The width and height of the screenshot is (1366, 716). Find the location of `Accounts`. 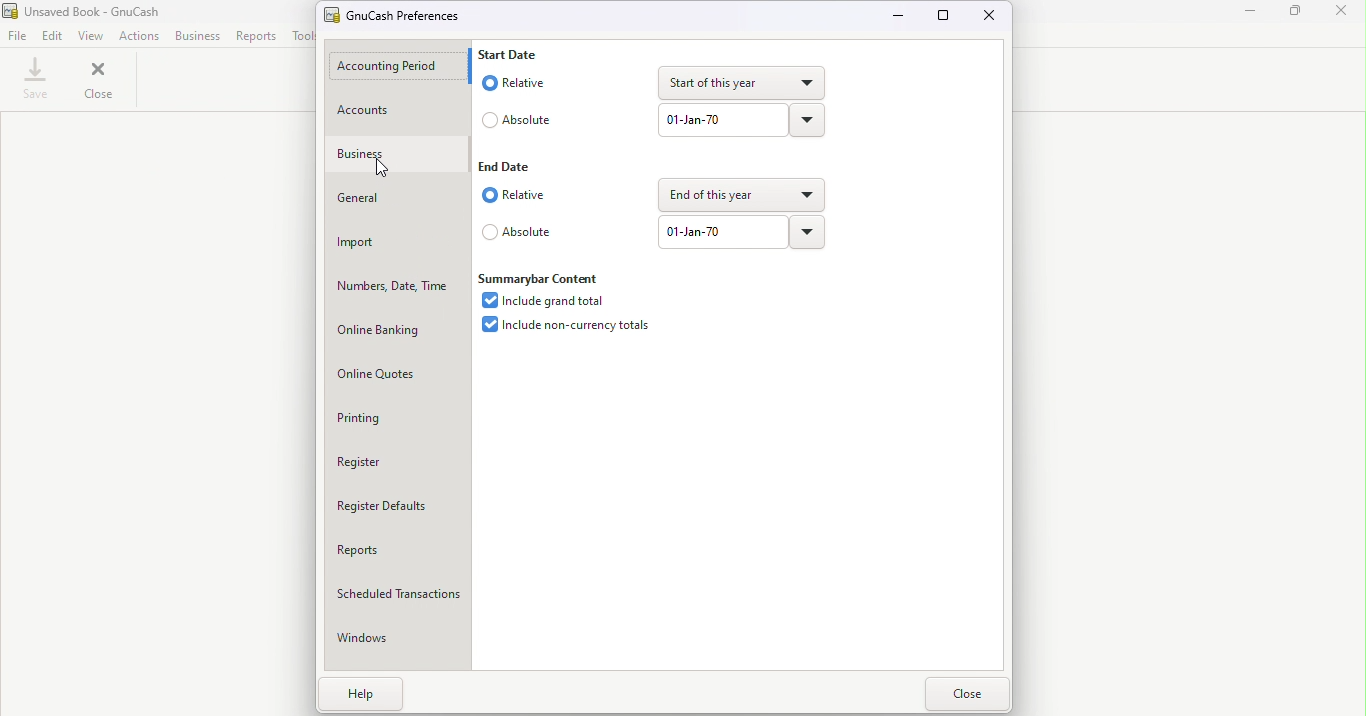

Accounts is located at coordinates (396, 109).